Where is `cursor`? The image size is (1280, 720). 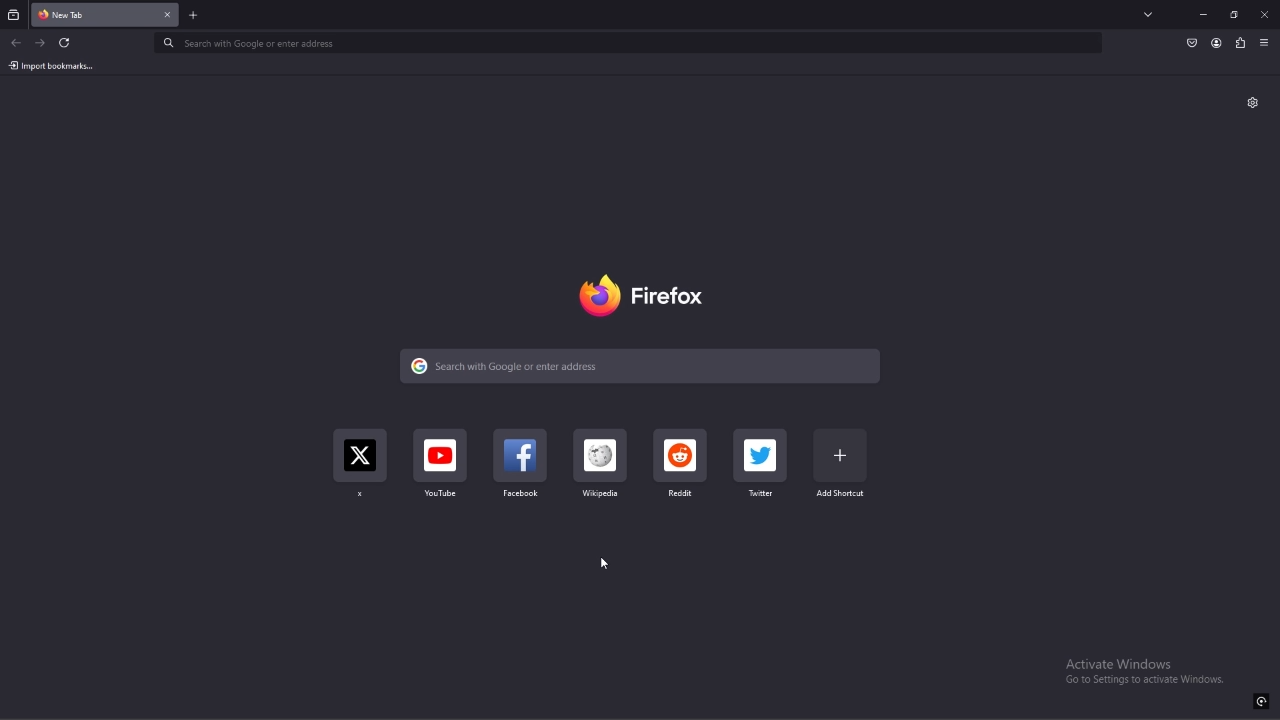 cursor is located at coordinates (602, 563).